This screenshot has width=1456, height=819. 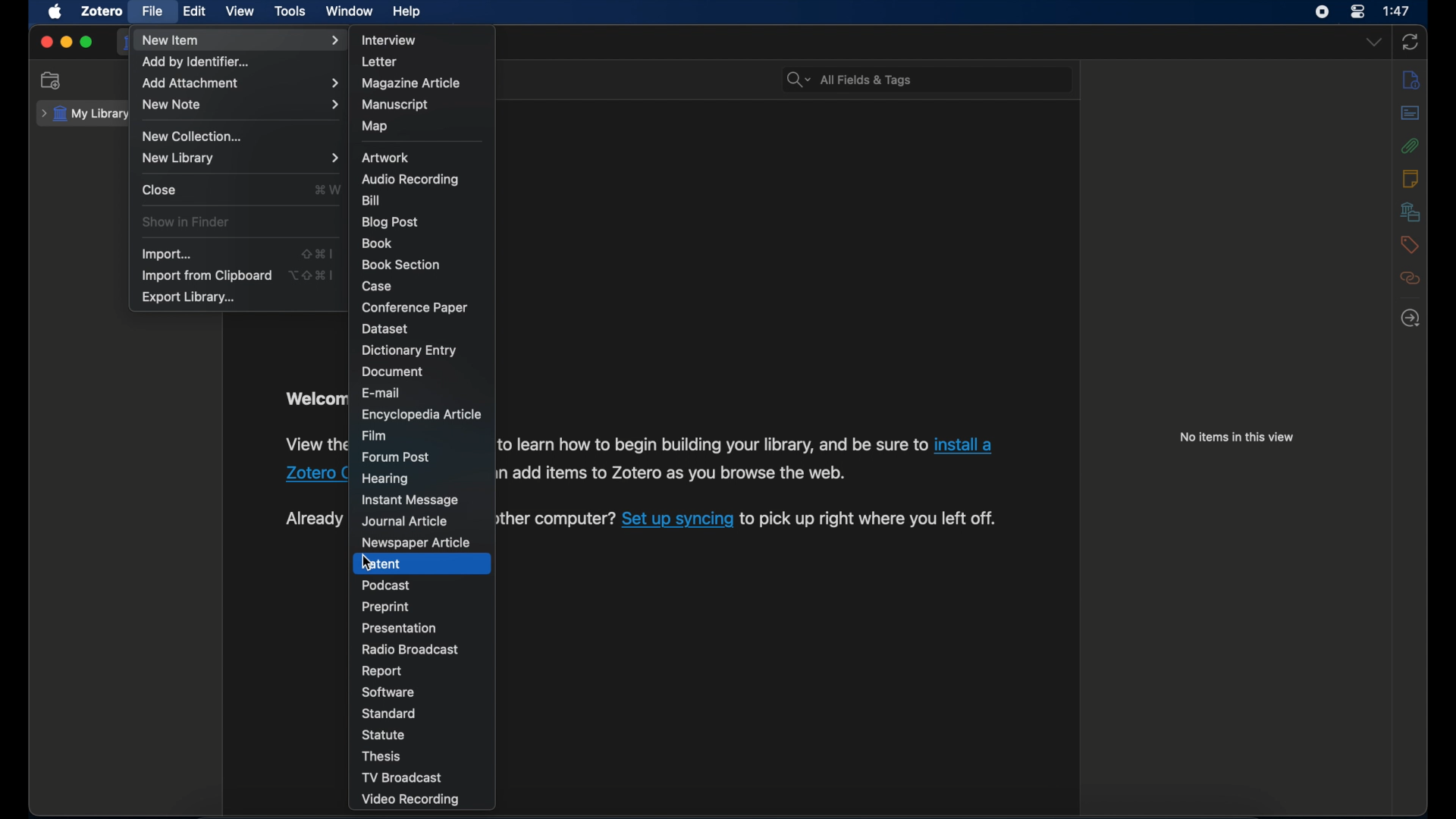 I want to click on blog post, so click(x=391, y=222).